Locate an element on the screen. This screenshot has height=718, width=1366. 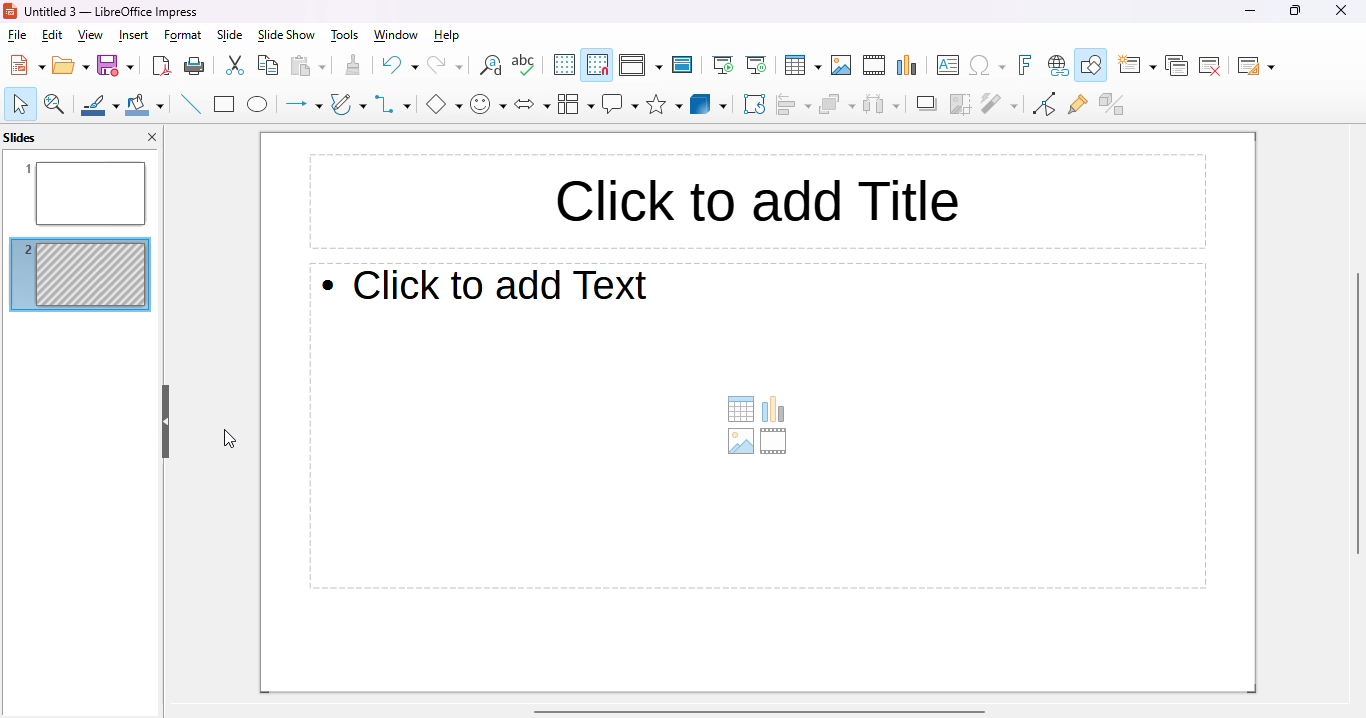
check spelling is located at coordinates (524, 64).